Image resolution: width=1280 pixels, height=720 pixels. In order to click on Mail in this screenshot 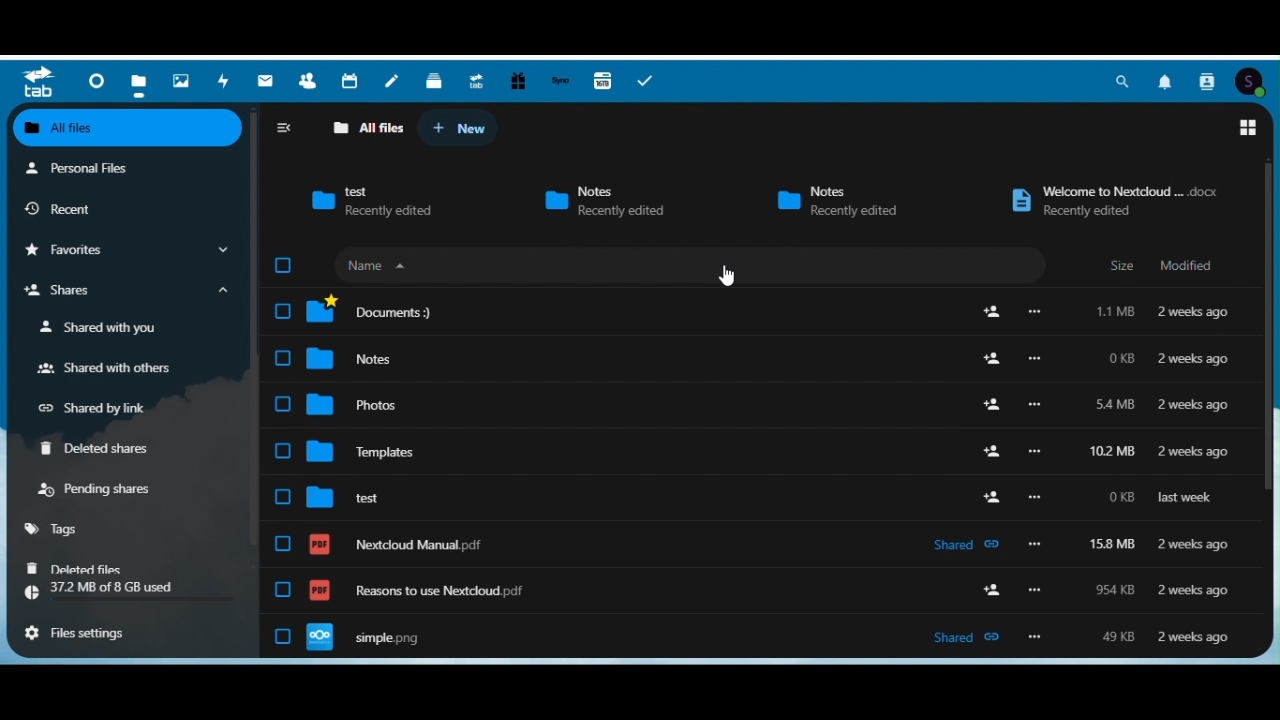, I will do `click(267, 80)`.